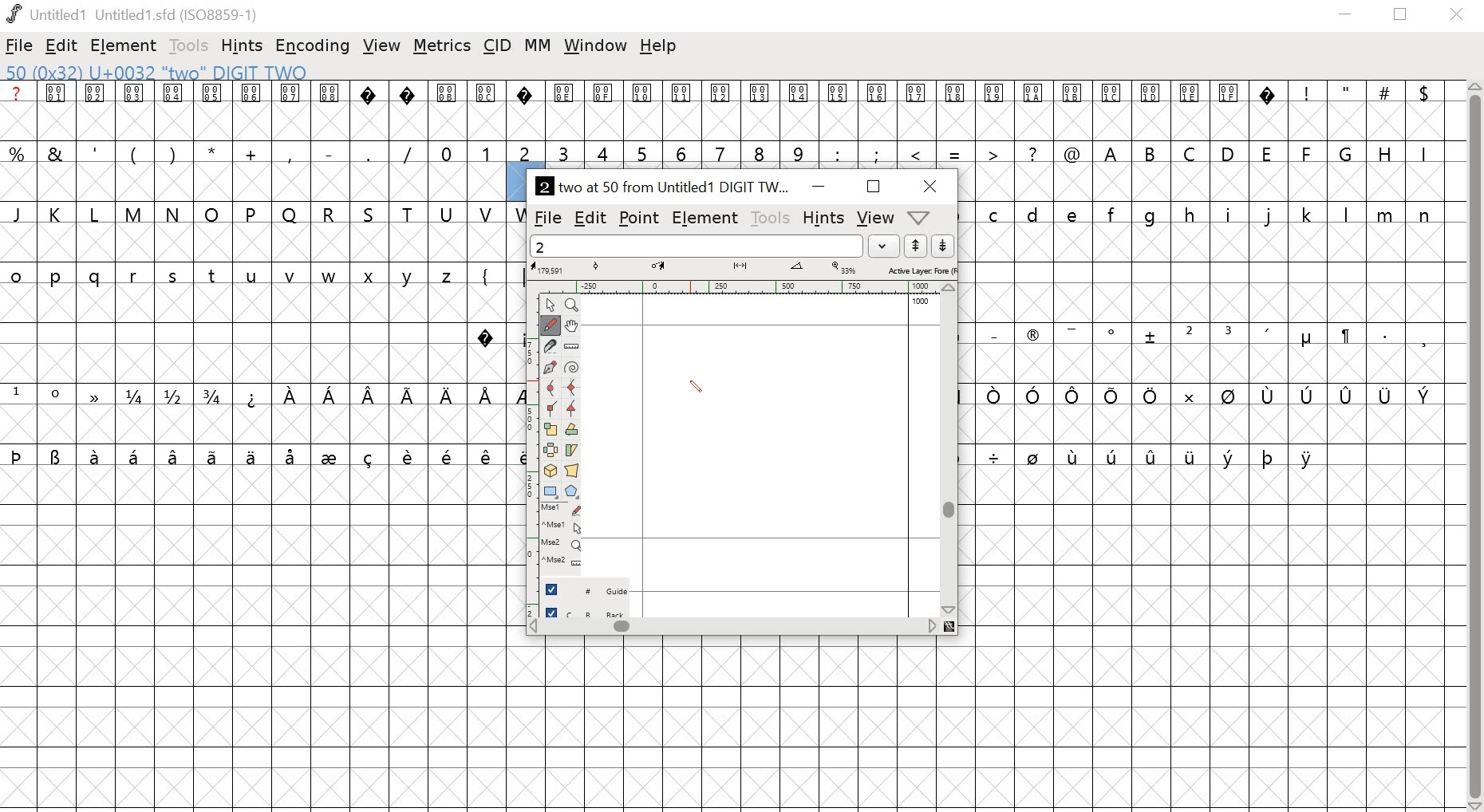 The height and width of the screenshot is (812, 1484). What do you see at coordinates (552, 388) in the screenshot?
I see `curve` at bounding box center [552, 388].